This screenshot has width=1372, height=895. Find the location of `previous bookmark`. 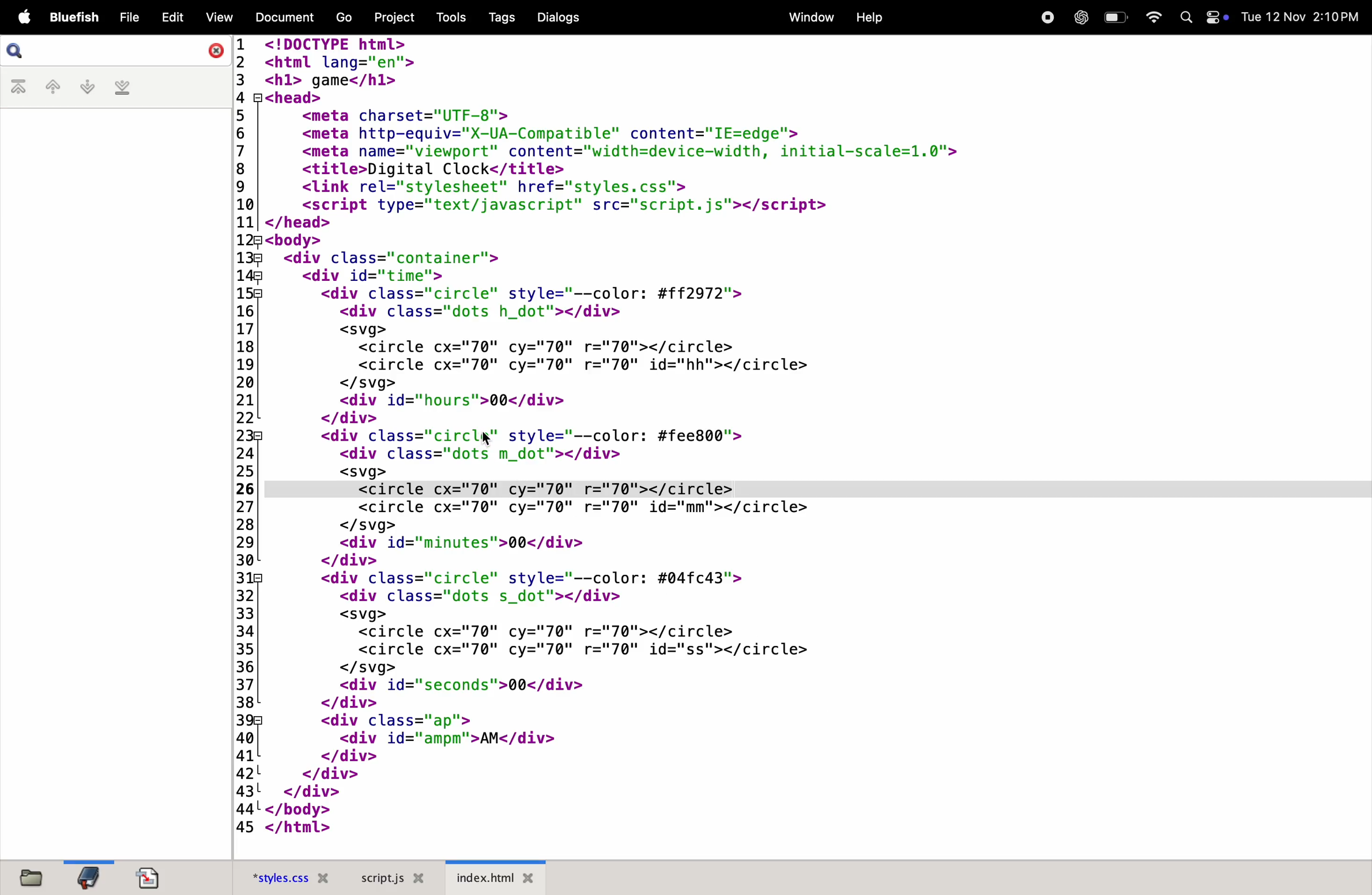

previous bookmark is located at coordinates (52, 87).